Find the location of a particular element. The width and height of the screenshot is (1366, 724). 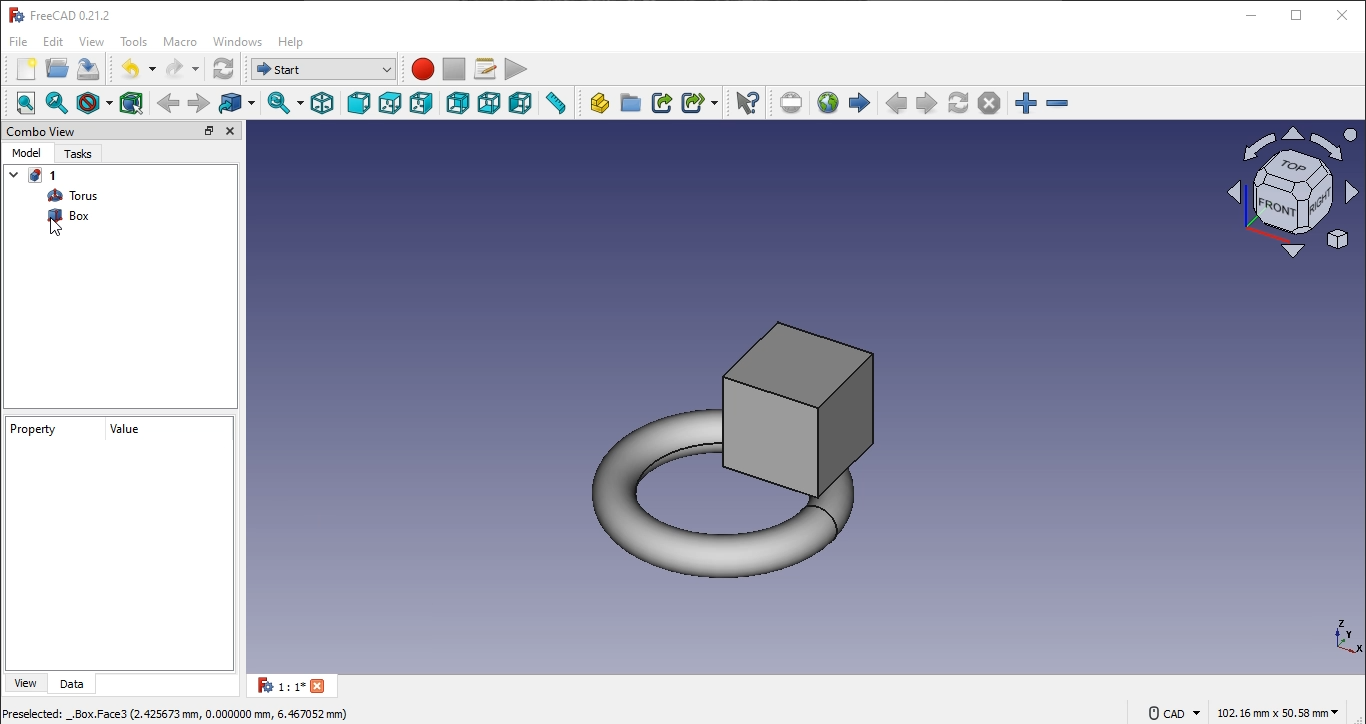

rear is located at coordinates (459, 102).